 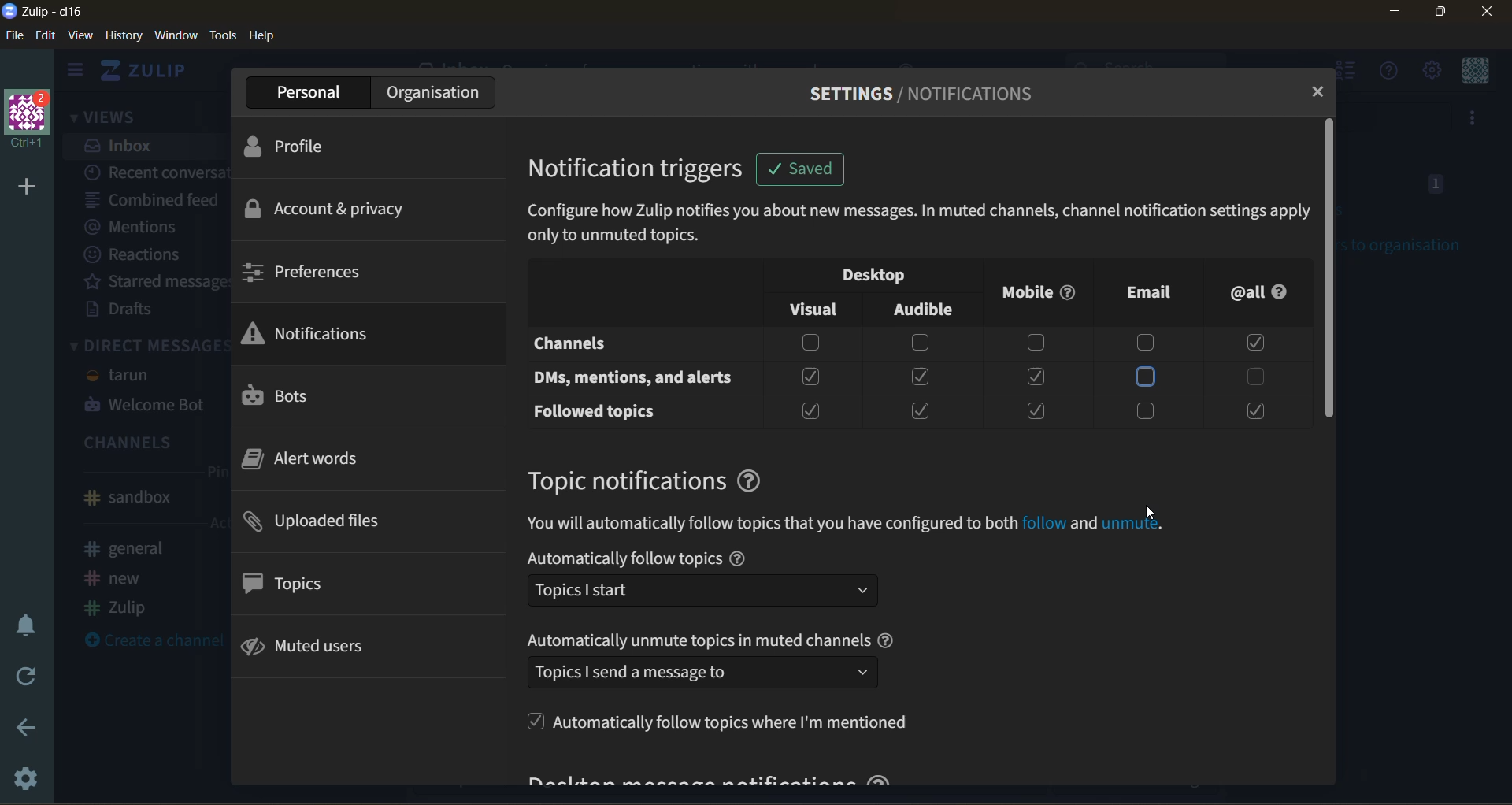 I want to click on checkbox, so click(x=917, y=377).